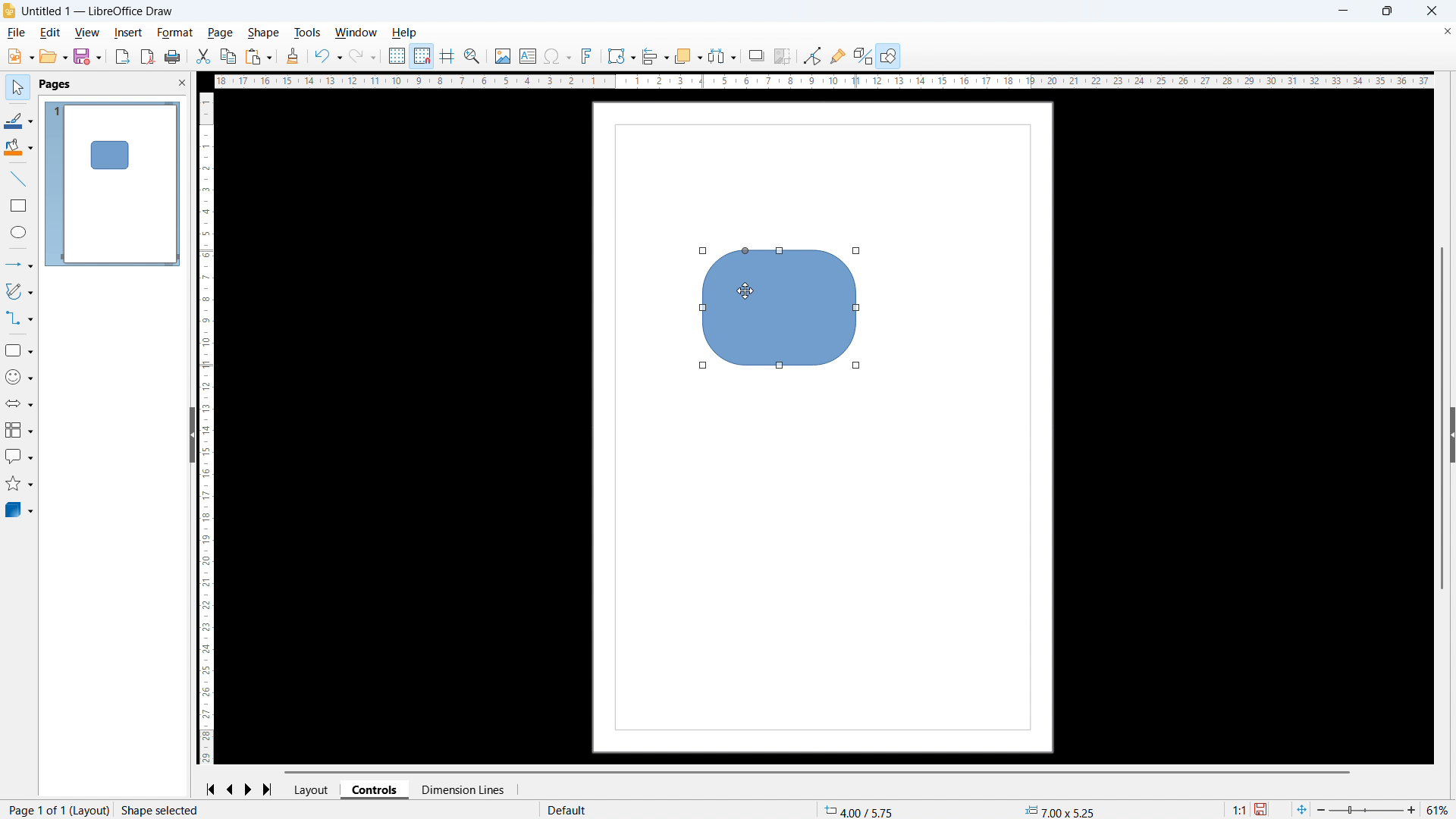 The width and height of the screenshot is (1456, 819). I want to click on hide pane, so click(191, 435).